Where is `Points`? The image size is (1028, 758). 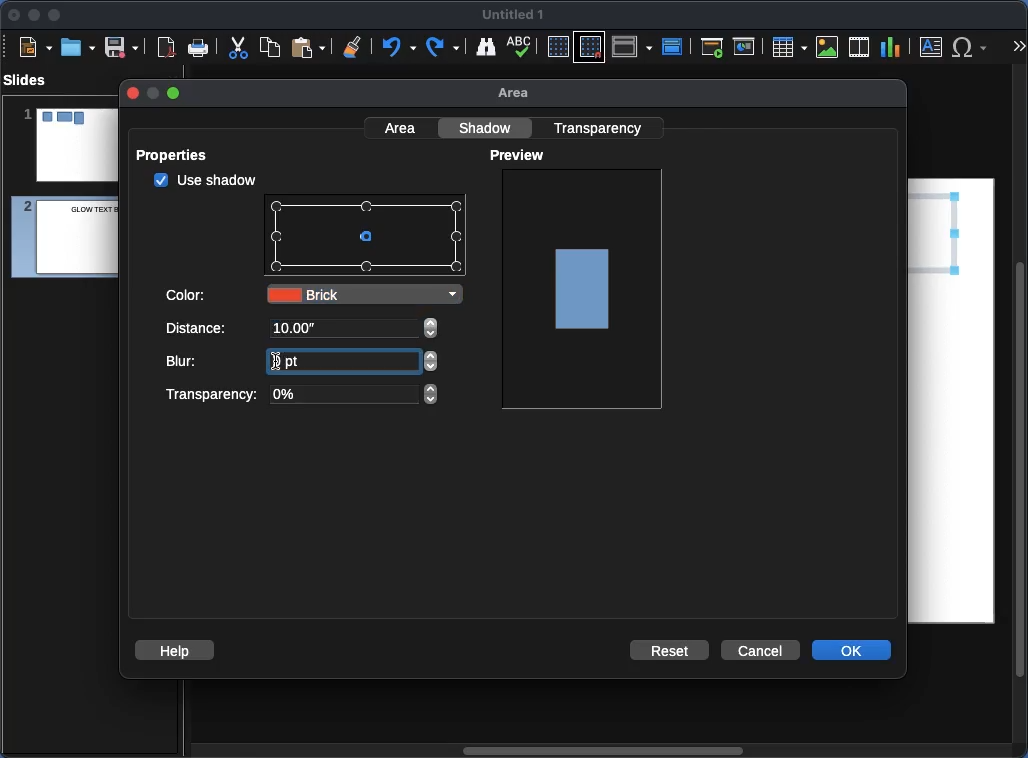 Points is located at coordinates (367, 238).